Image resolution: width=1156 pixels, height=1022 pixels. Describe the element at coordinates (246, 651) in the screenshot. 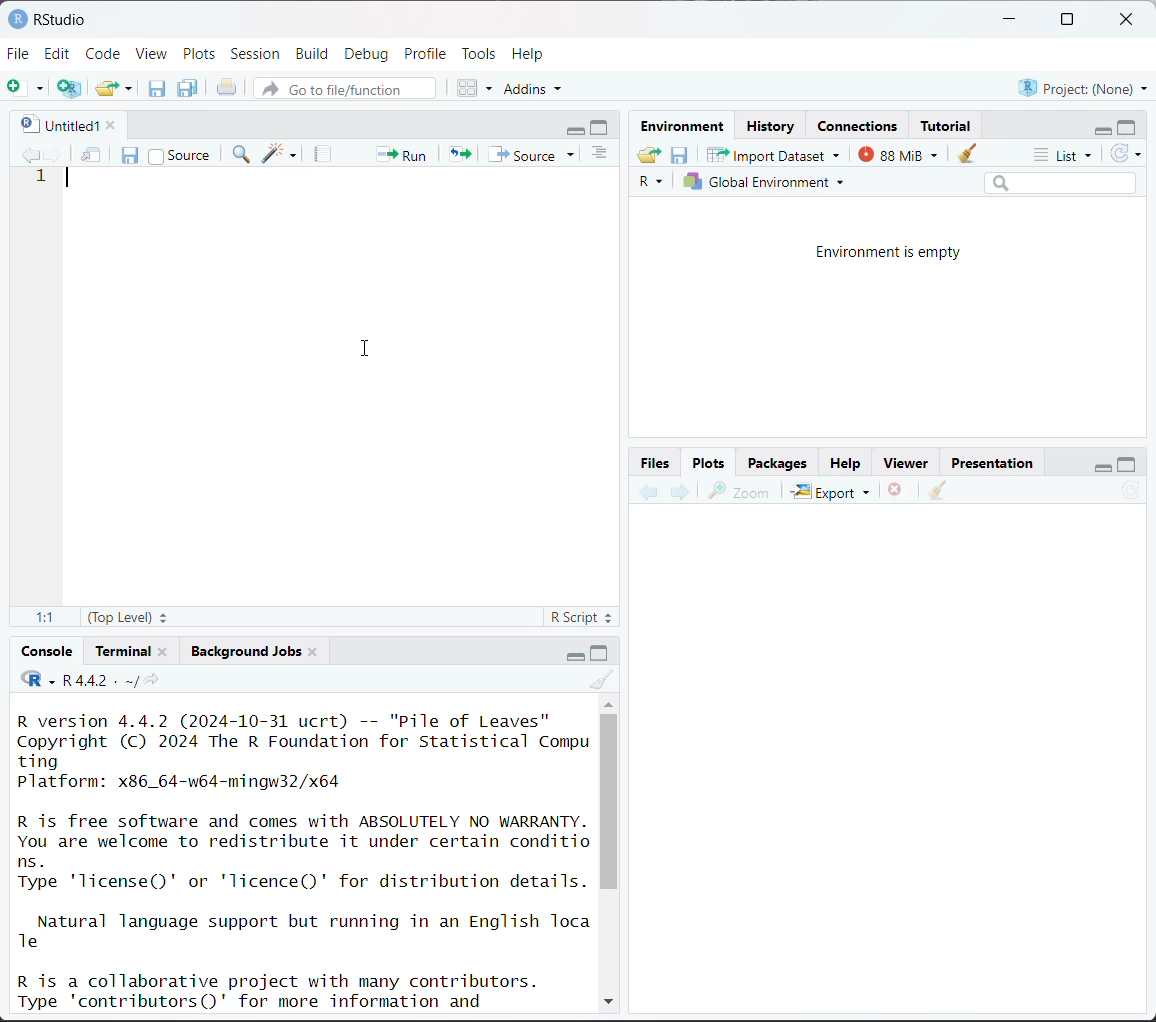

I see `Background jobs` at that location.